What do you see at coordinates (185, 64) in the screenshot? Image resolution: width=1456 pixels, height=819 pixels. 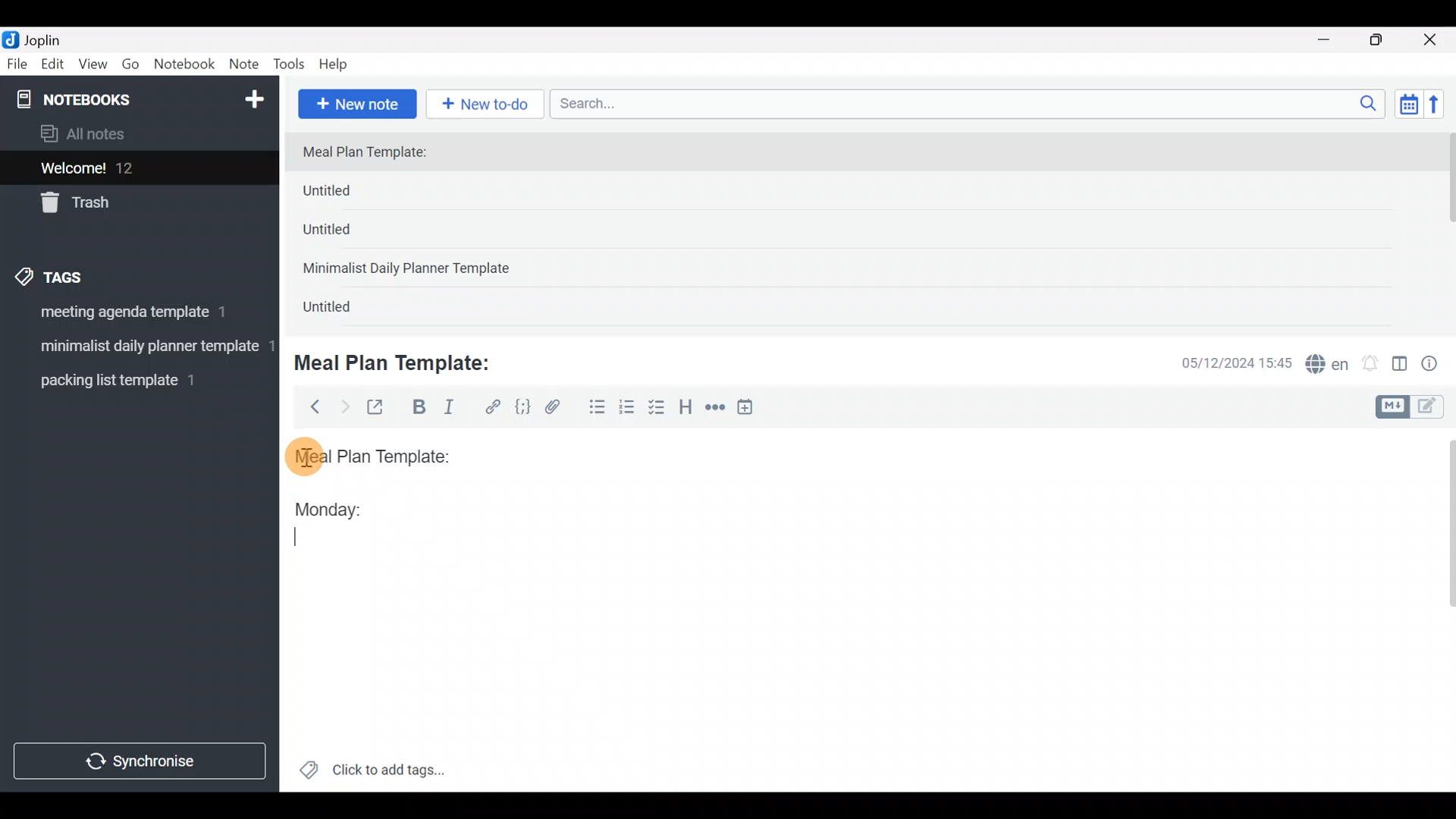 I see `Notebook` at bounding box center [185, 64].